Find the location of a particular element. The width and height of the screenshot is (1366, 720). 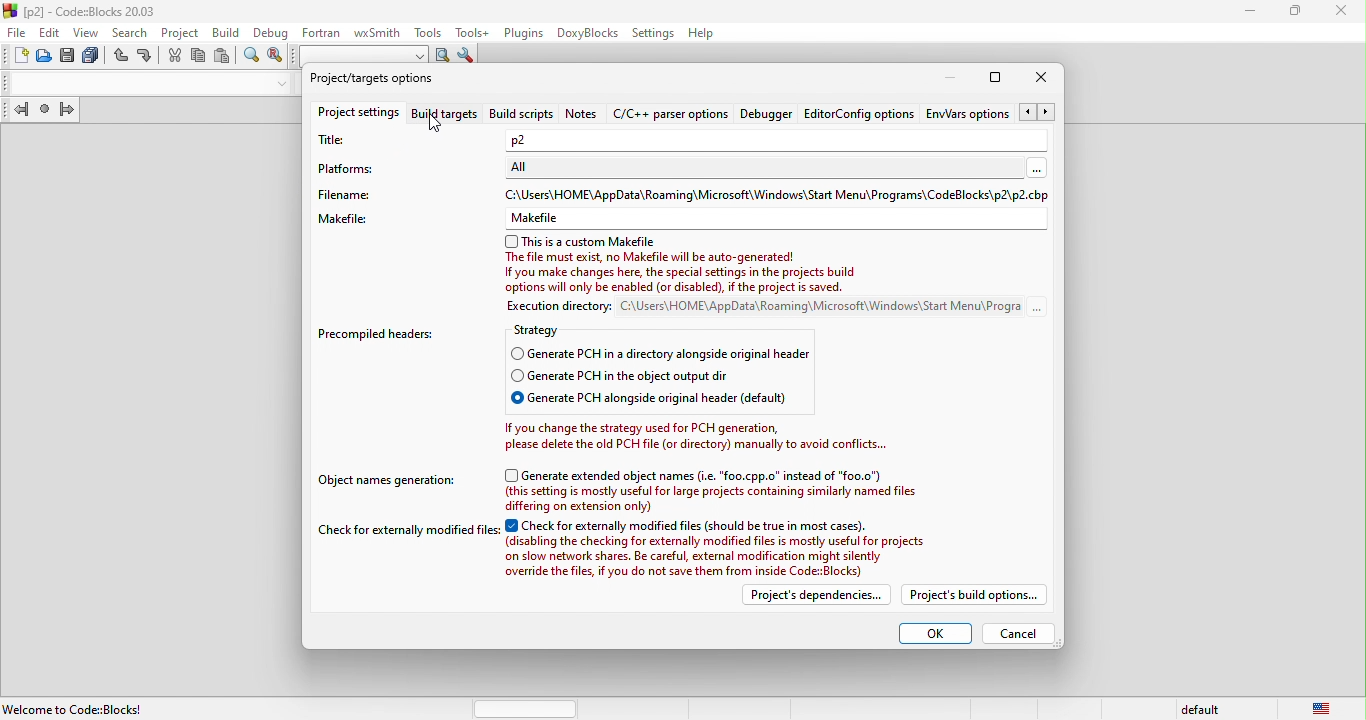

copy is located at coordinates (199, 59).